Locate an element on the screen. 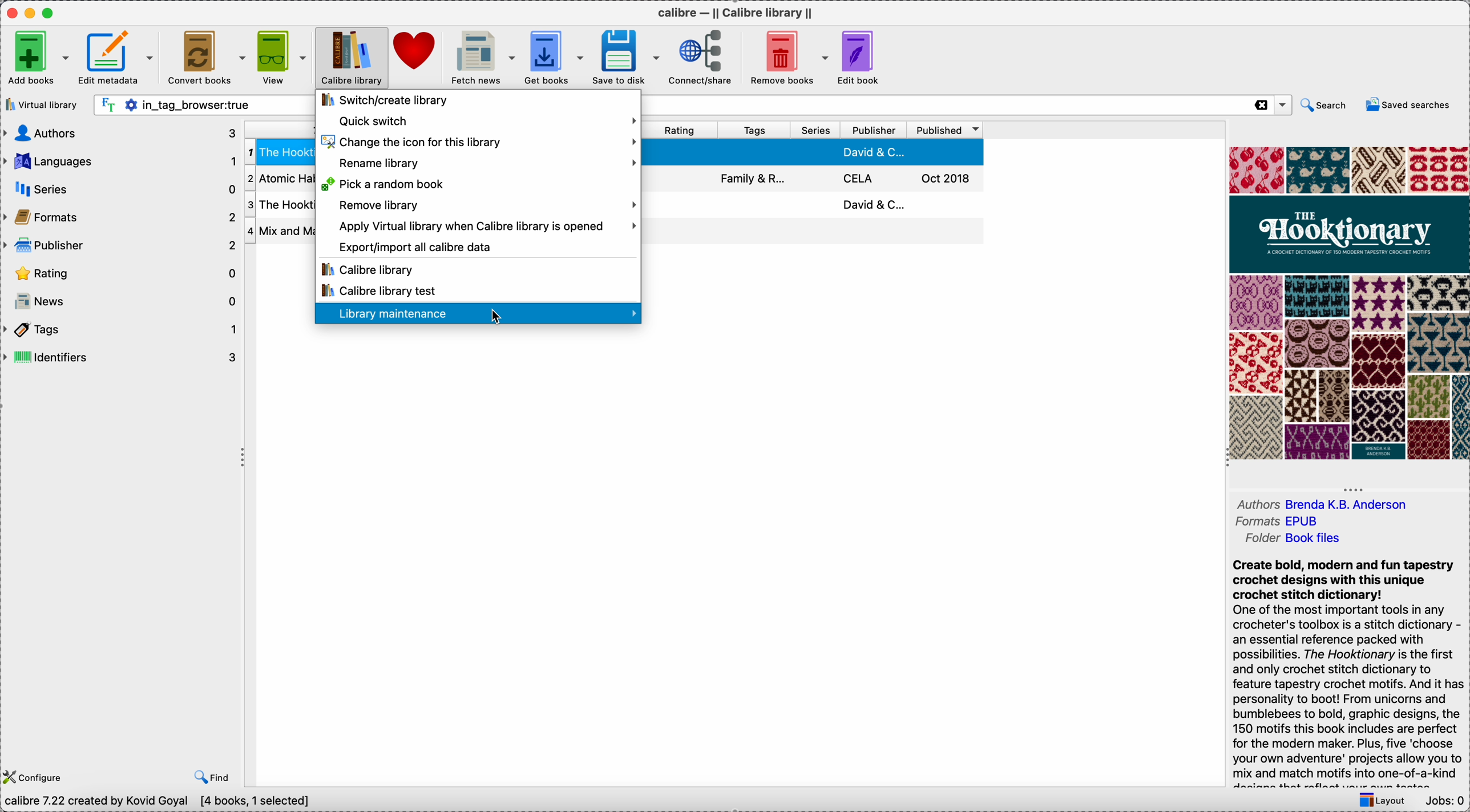 The image size is (1470, 812). authors is located at coordinates (119, 134).